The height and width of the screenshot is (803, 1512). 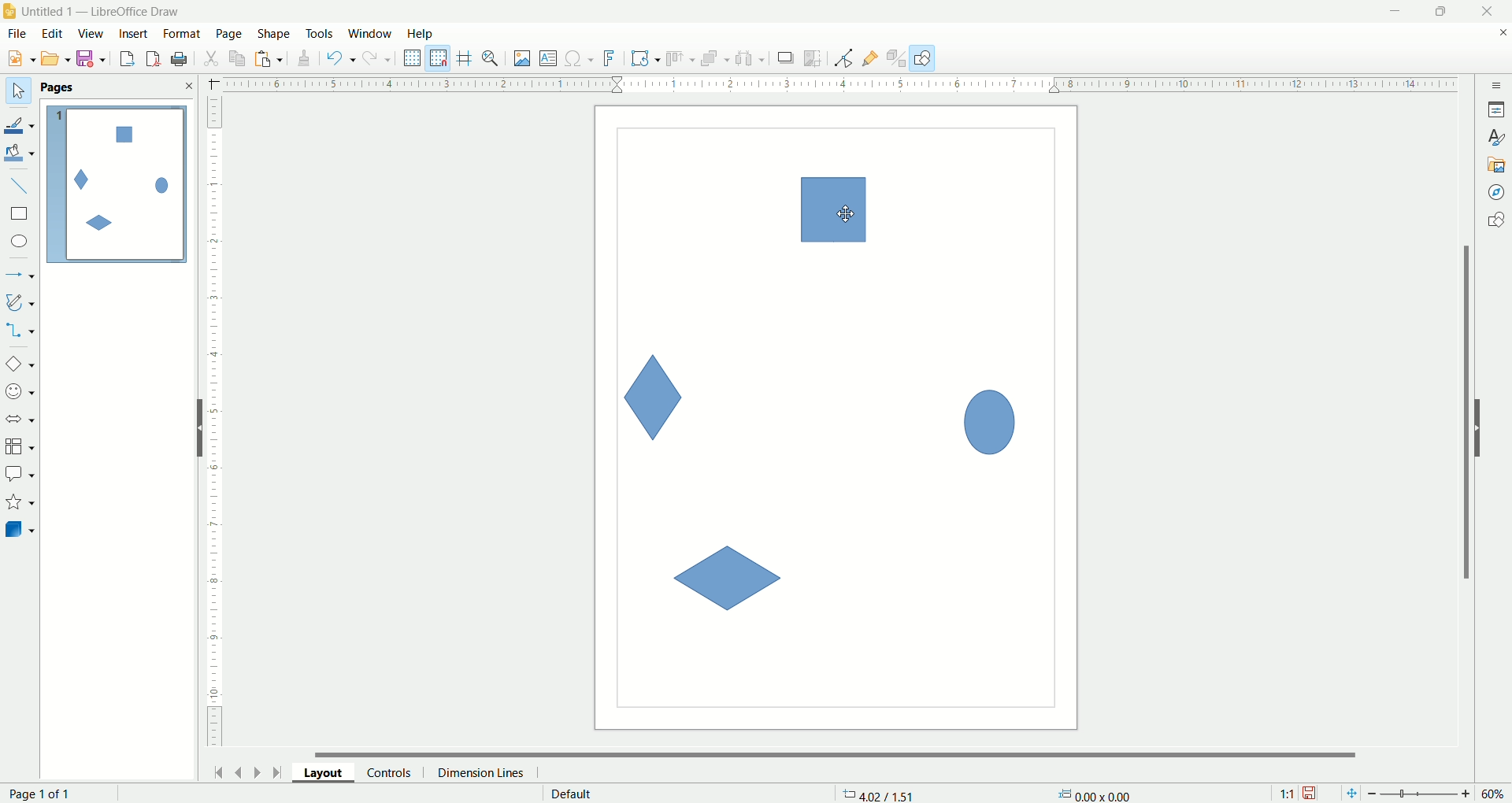 I want to click on insert image, so click(x=523, y=59).